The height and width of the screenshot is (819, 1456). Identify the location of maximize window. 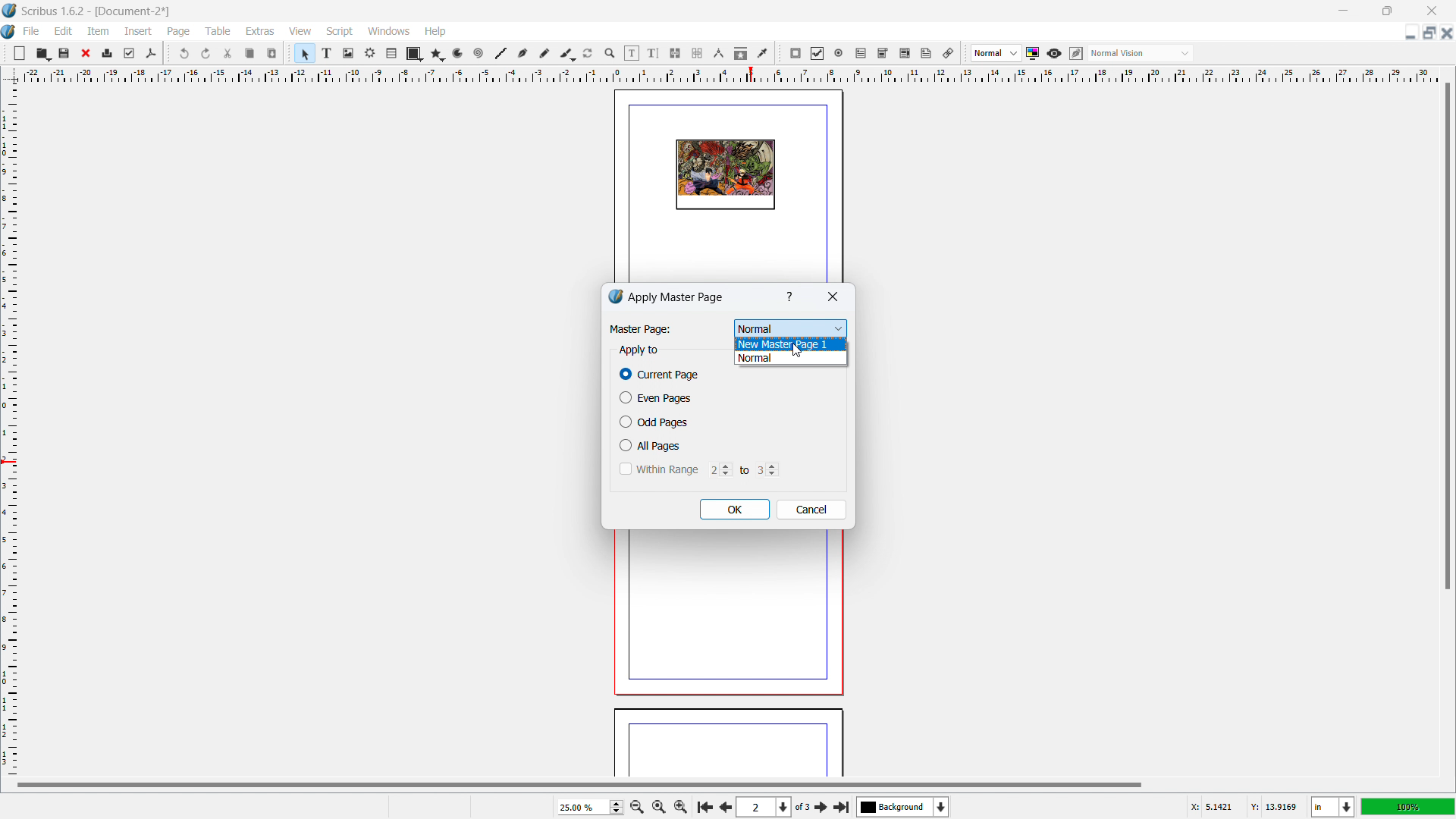
(1385, 11).